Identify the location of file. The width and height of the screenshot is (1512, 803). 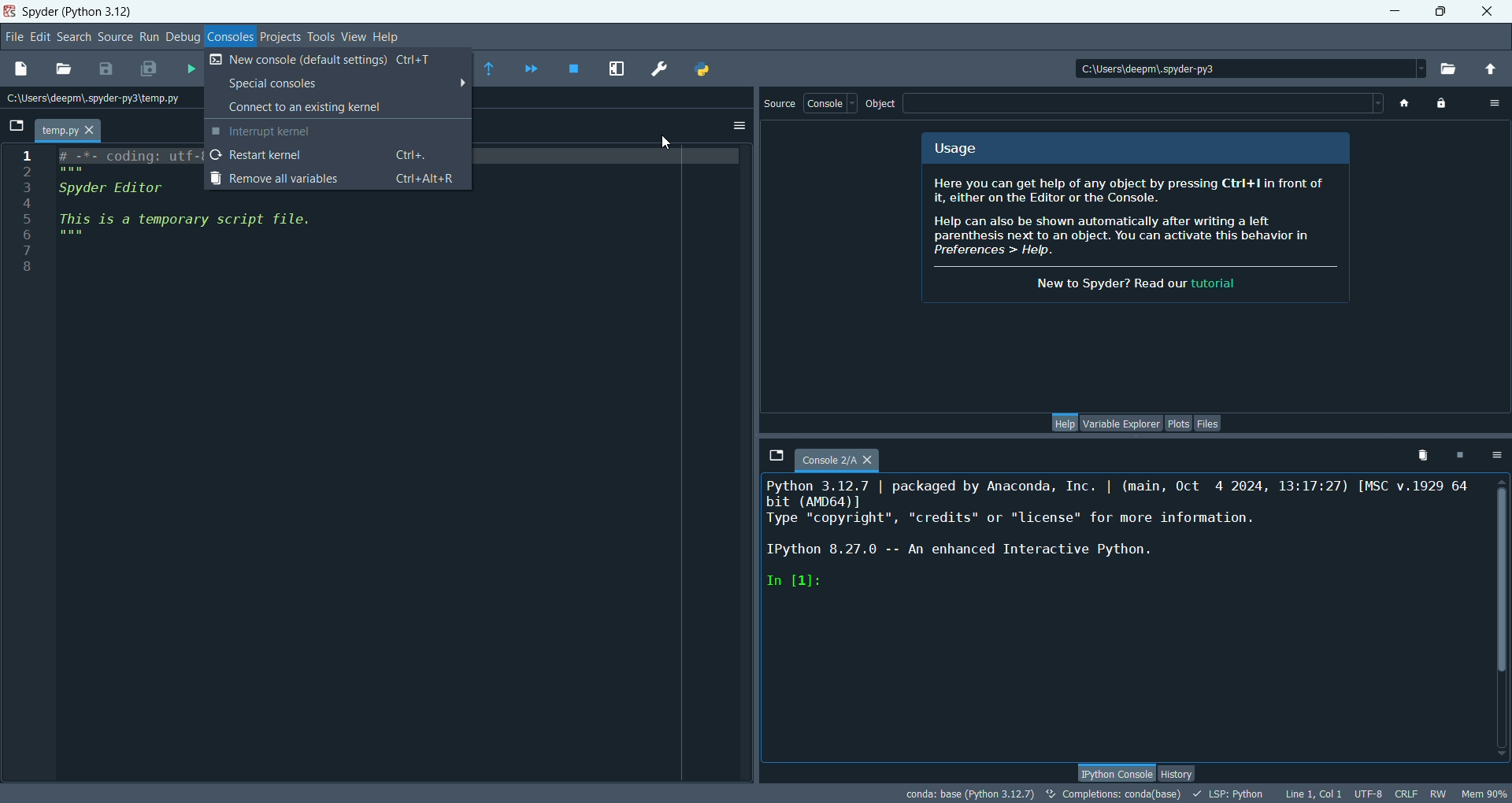
(13, 37).